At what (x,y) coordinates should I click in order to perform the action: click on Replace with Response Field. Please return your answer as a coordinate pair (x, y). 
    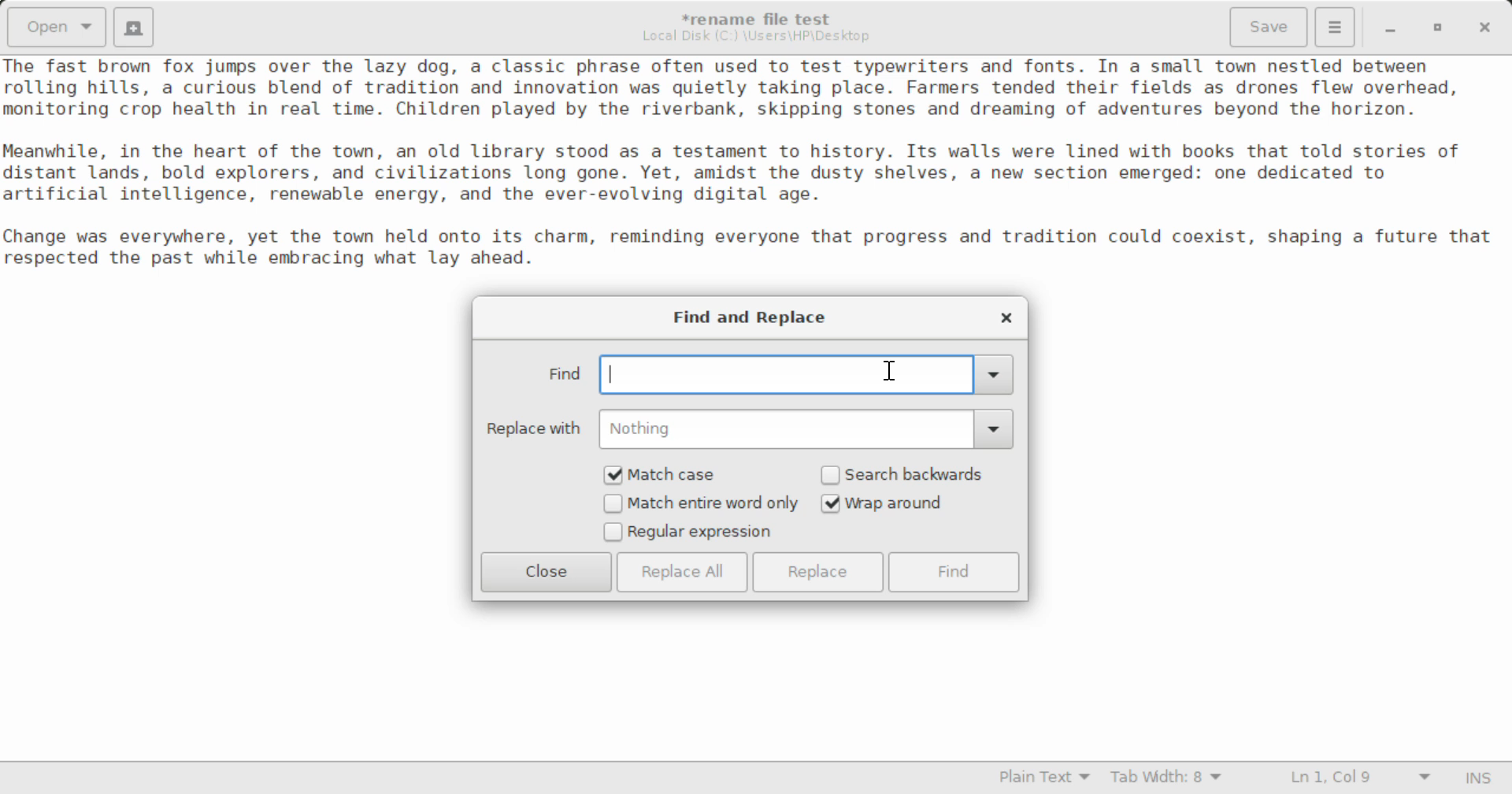
    Looking at the image, I should click on (750, 429).